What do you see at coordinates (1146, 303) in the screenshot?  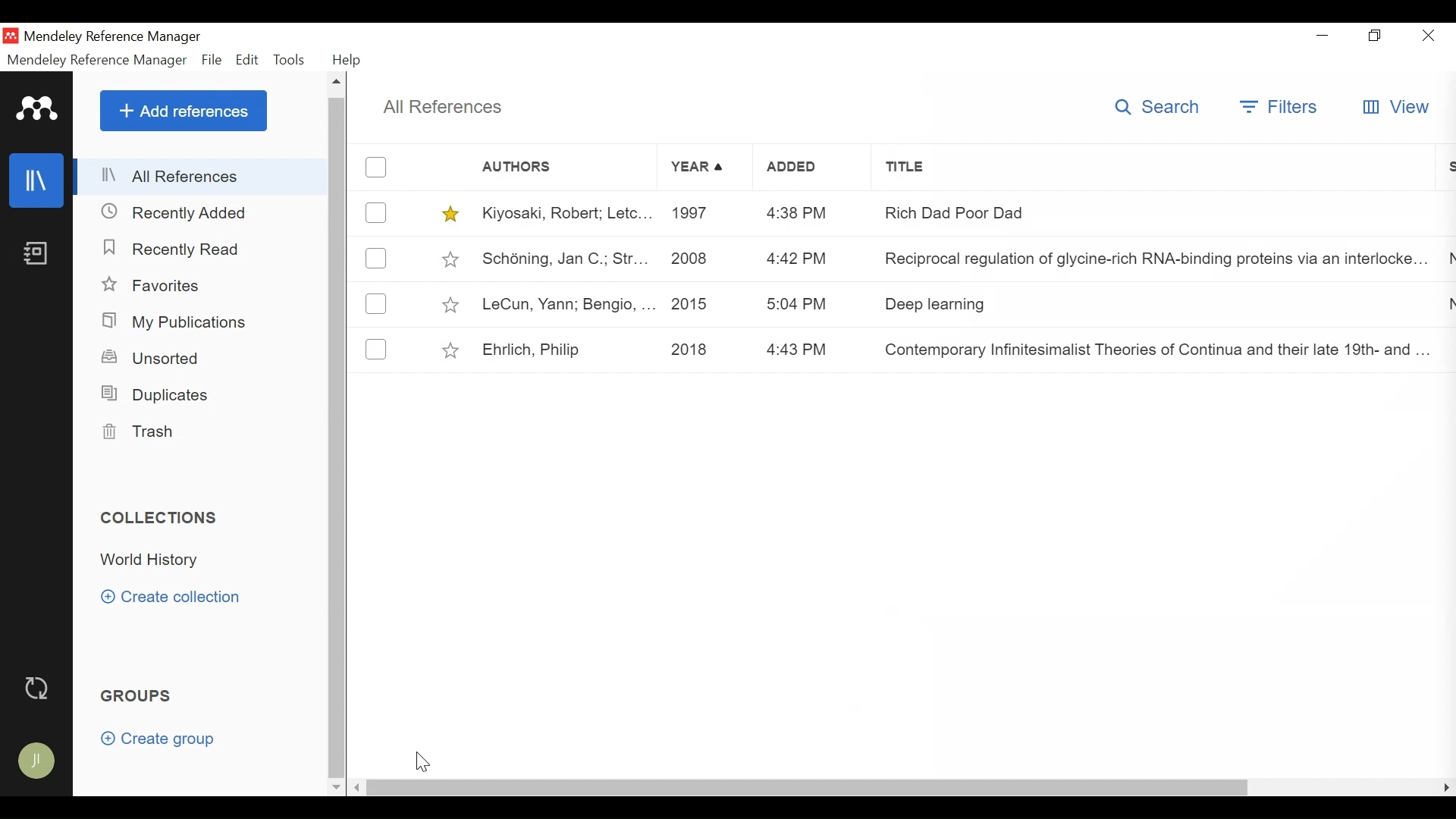 I see `Deep learning` at bounding box center [1146, 303].